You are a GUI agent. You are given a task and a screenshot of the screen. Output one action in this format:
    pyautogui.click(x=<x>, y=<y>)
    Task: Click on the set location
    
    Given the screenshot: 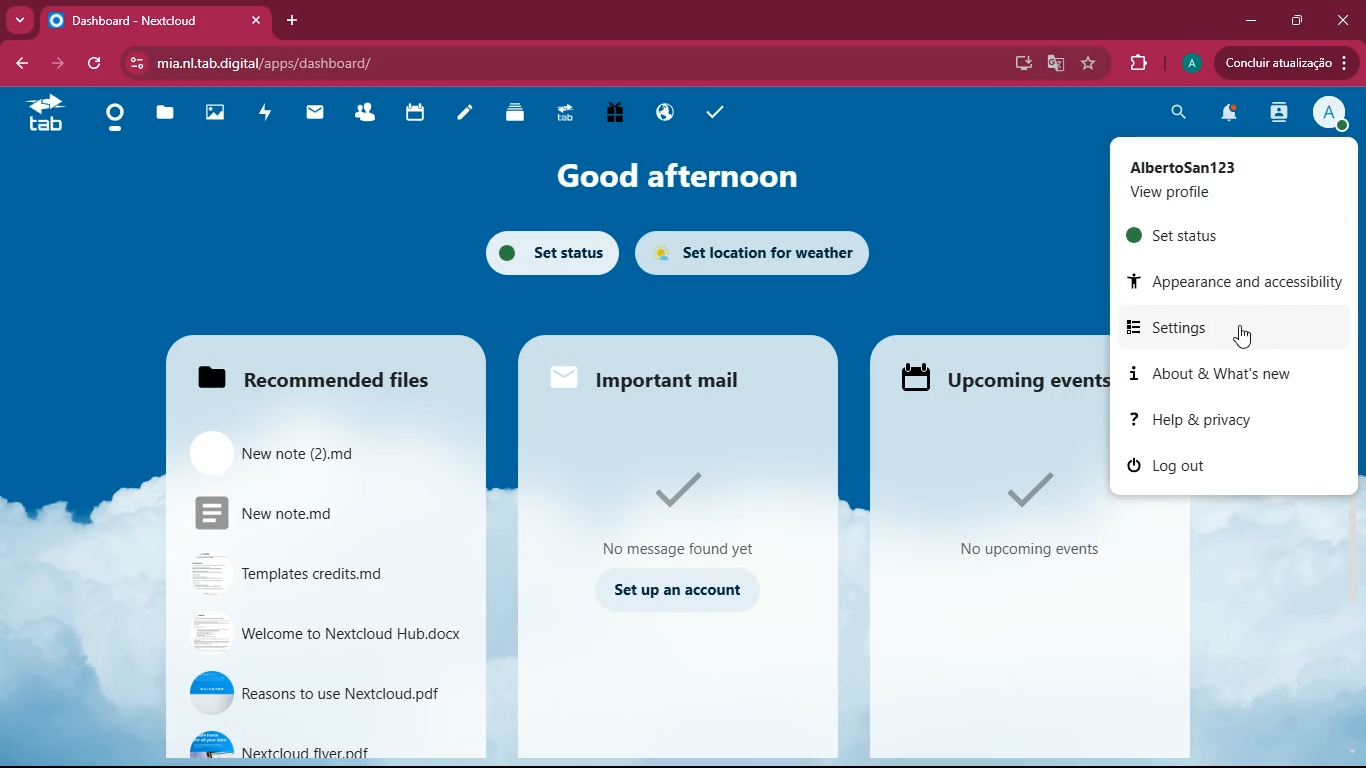 What is the action you would take?
    pyautogui.click(x=758, y=253)
    